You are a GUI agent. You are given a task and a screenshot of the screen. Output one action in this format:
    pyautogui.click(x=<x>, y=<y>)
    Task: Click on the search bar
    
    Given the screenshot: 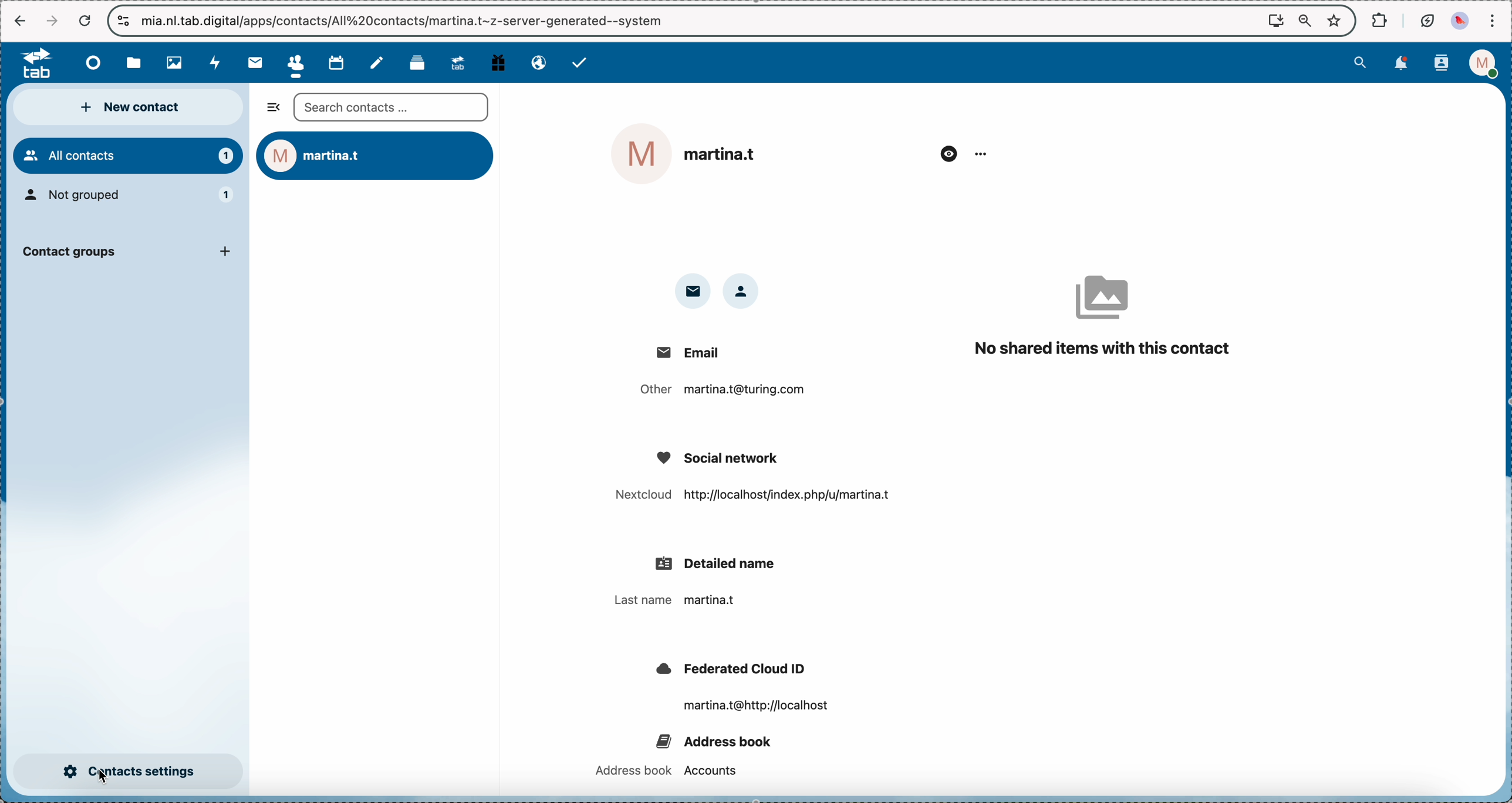 What is the action you would take?
    pyautogui.click(x=391, y=109)
    